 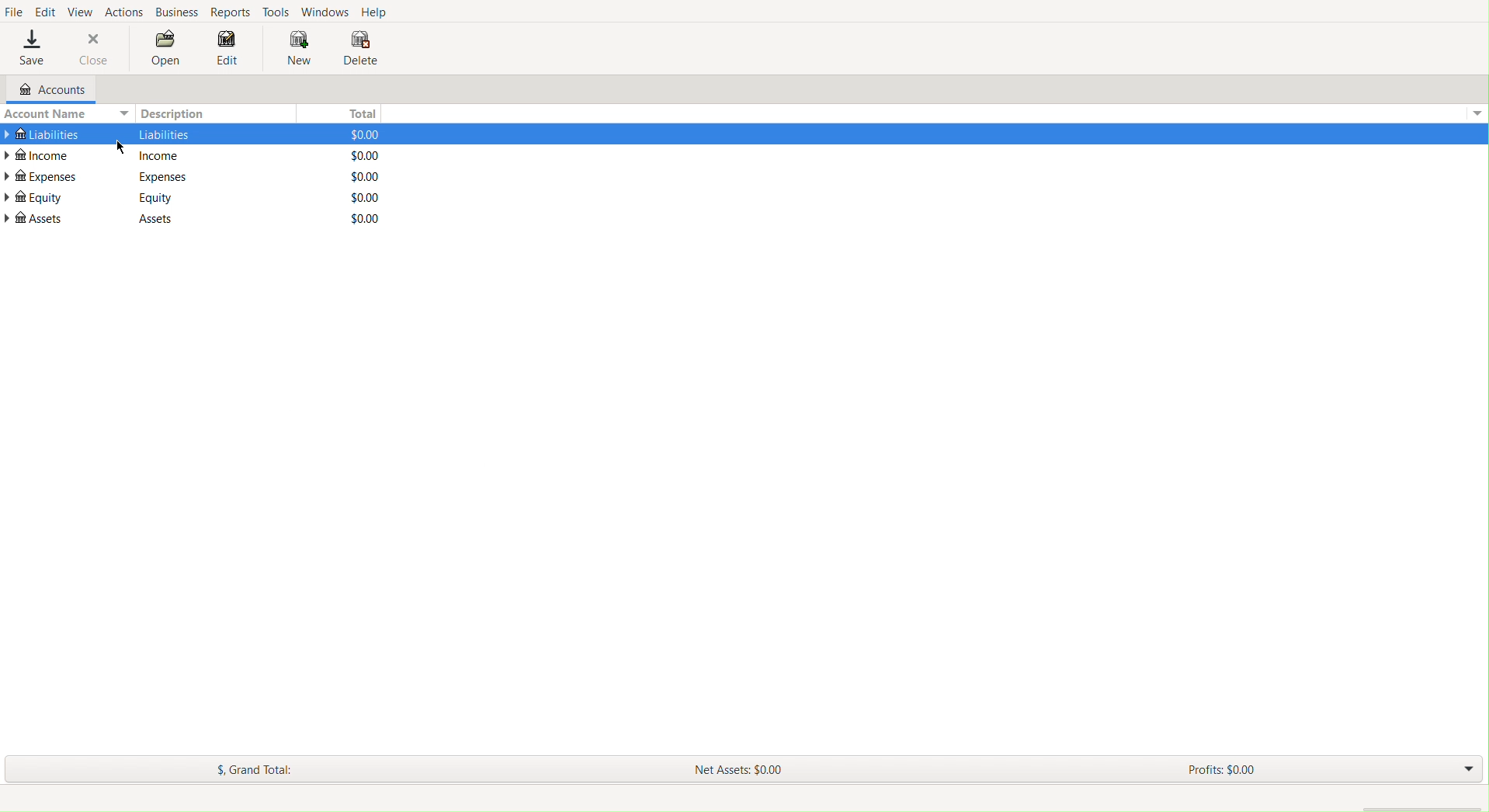 I want to click on Accounts, so click(x=45, y=90).